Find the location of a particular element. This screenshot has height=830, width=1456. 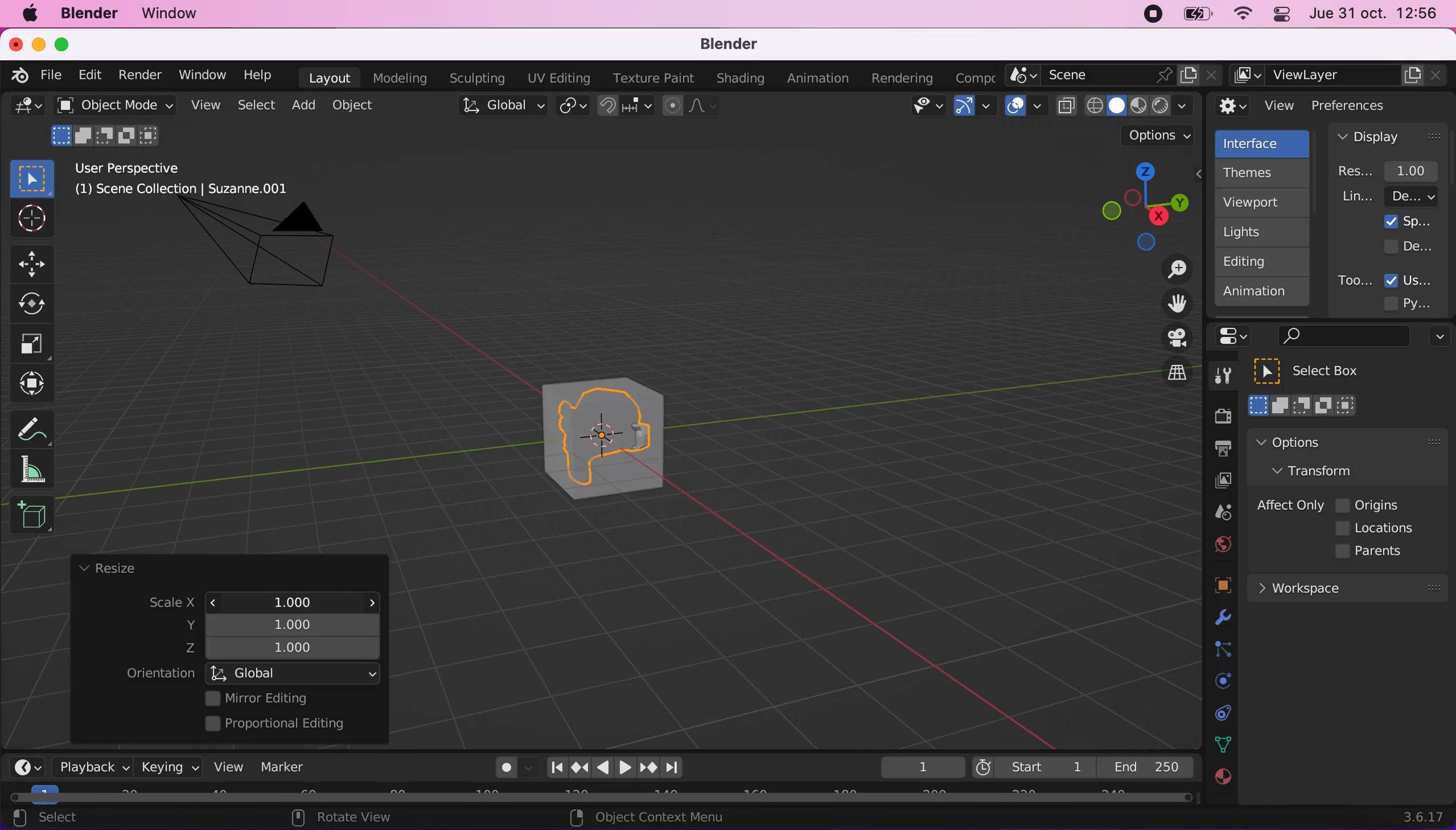

horizontal scroll bar is located at coordinates (601, 798).